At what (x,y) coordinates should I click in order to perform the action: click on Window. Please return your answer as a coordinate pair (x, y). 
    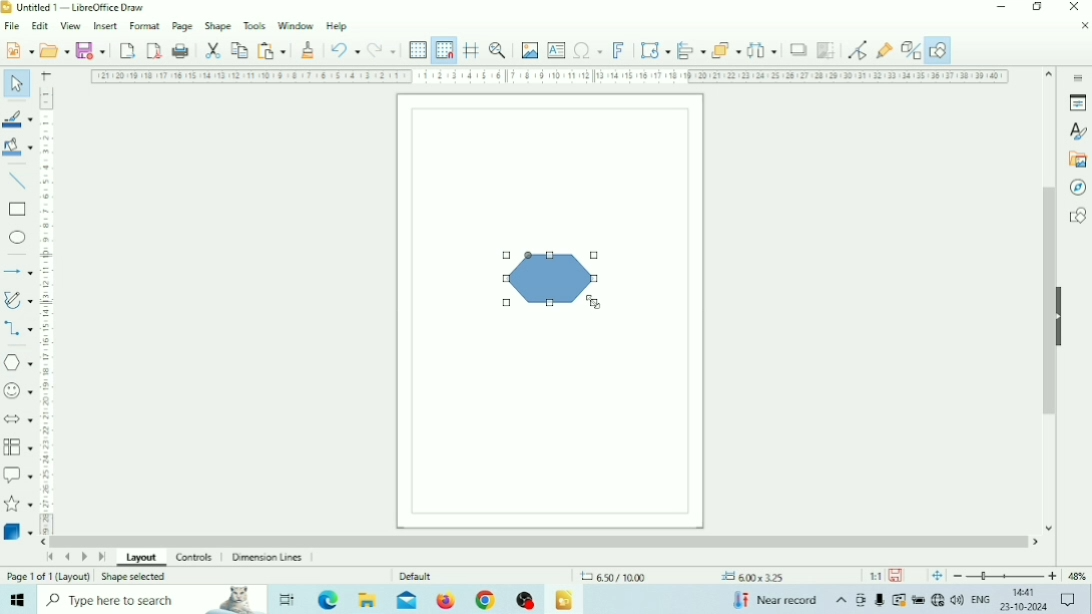
    Looking at the image, I should click on (296, 25).